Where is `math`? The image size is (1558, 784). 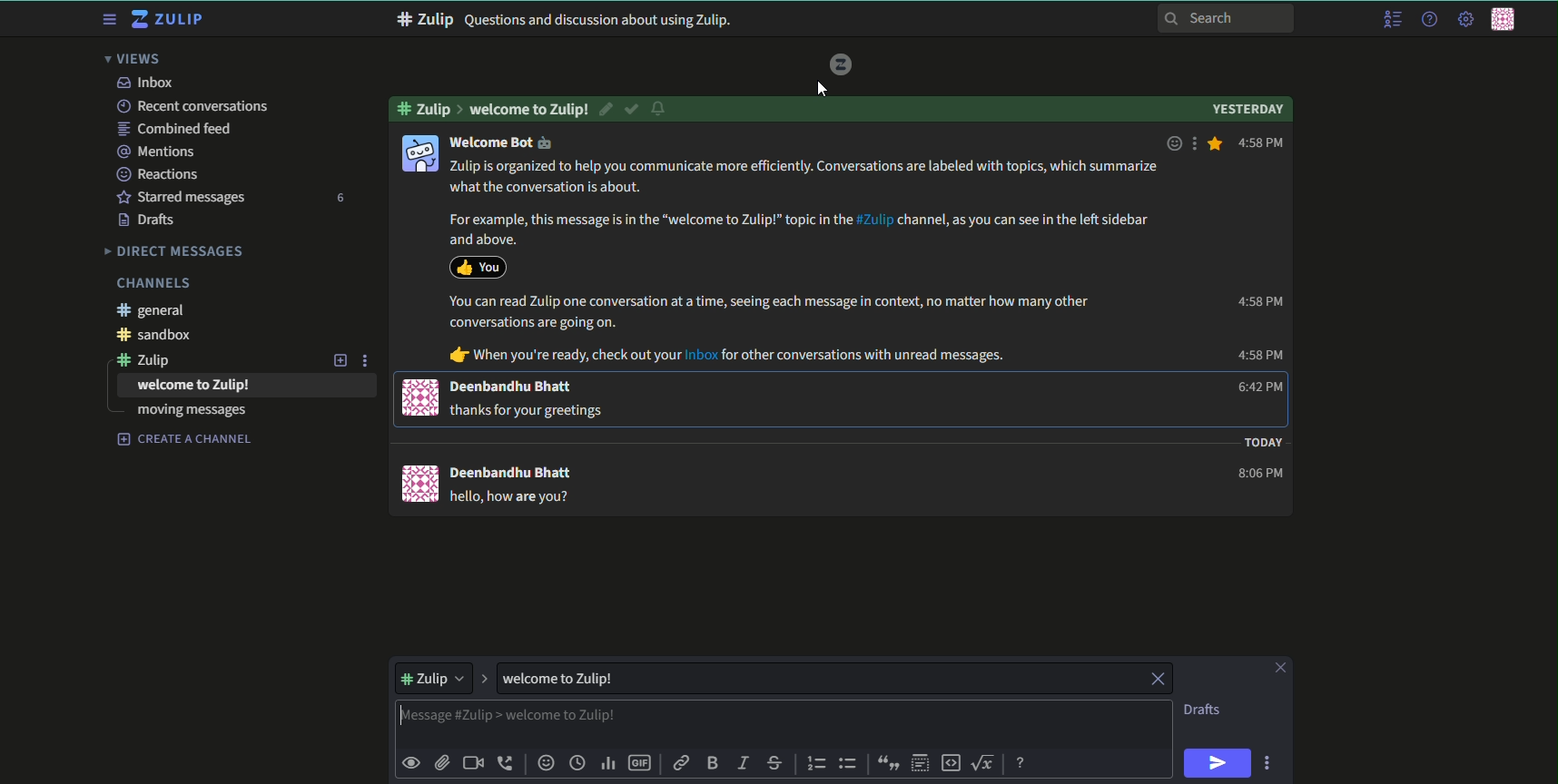
math is located at coordinates (986, 761).